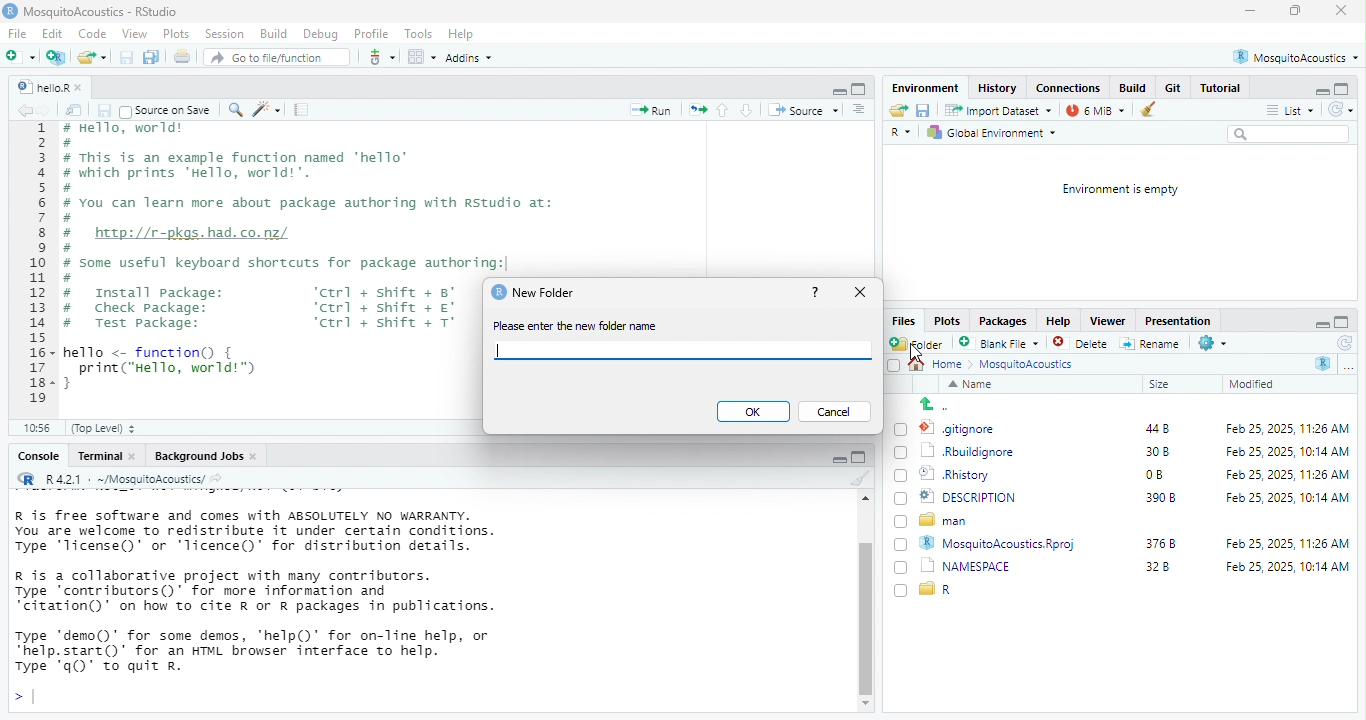 The height and width of the screenshot is (720, 1366). Describe the element at coordinates (1153, 346) in the screenshot. I see `rename` at that location.